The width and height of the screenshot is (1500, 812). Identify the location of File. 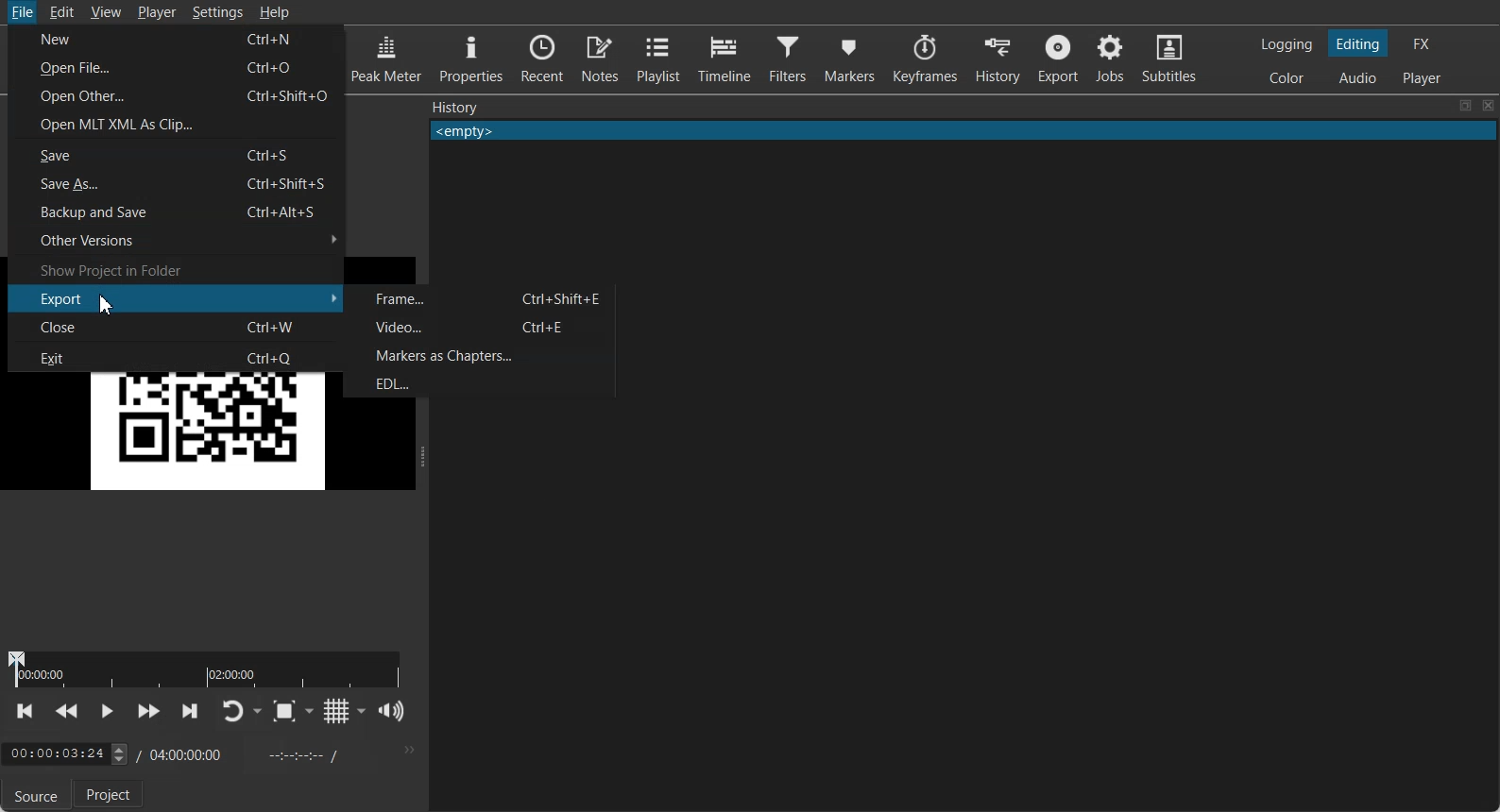
(22, 13).